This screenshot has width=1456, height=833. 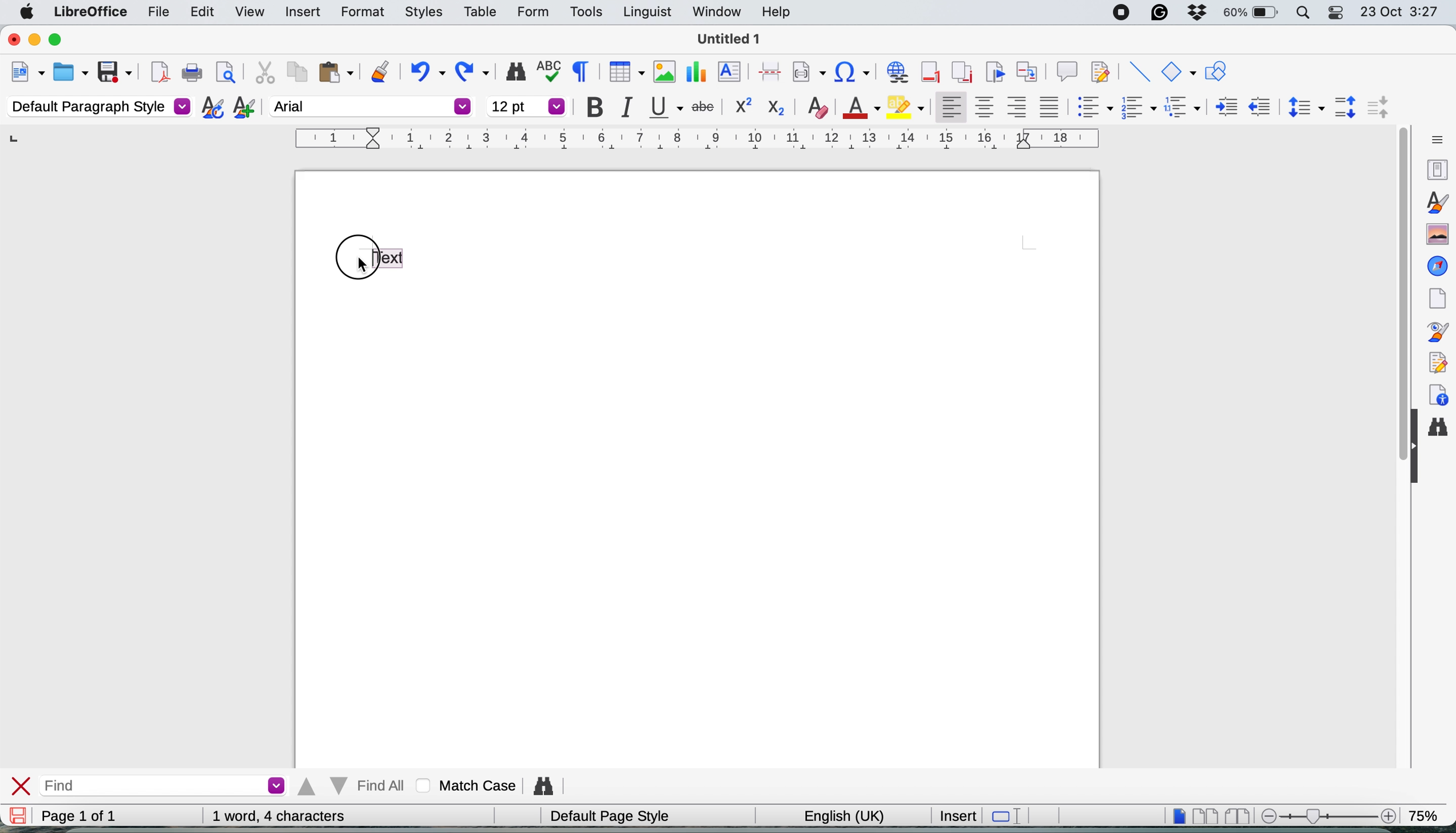 What do you see at coordinates (262, 73) in the screenshot?
I see `cut` at bounding box center [262, 73].